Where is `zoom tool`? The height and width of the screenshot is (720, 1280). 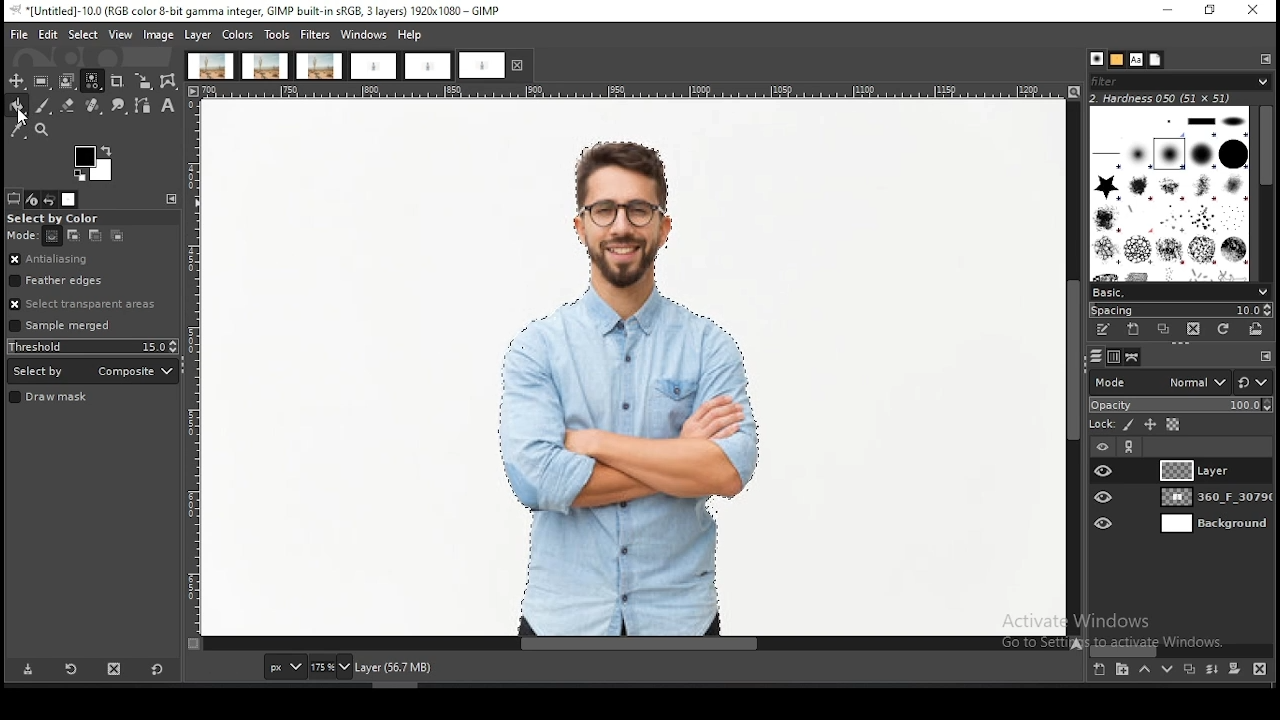 zoom tool is located at coordinates (40, 128).